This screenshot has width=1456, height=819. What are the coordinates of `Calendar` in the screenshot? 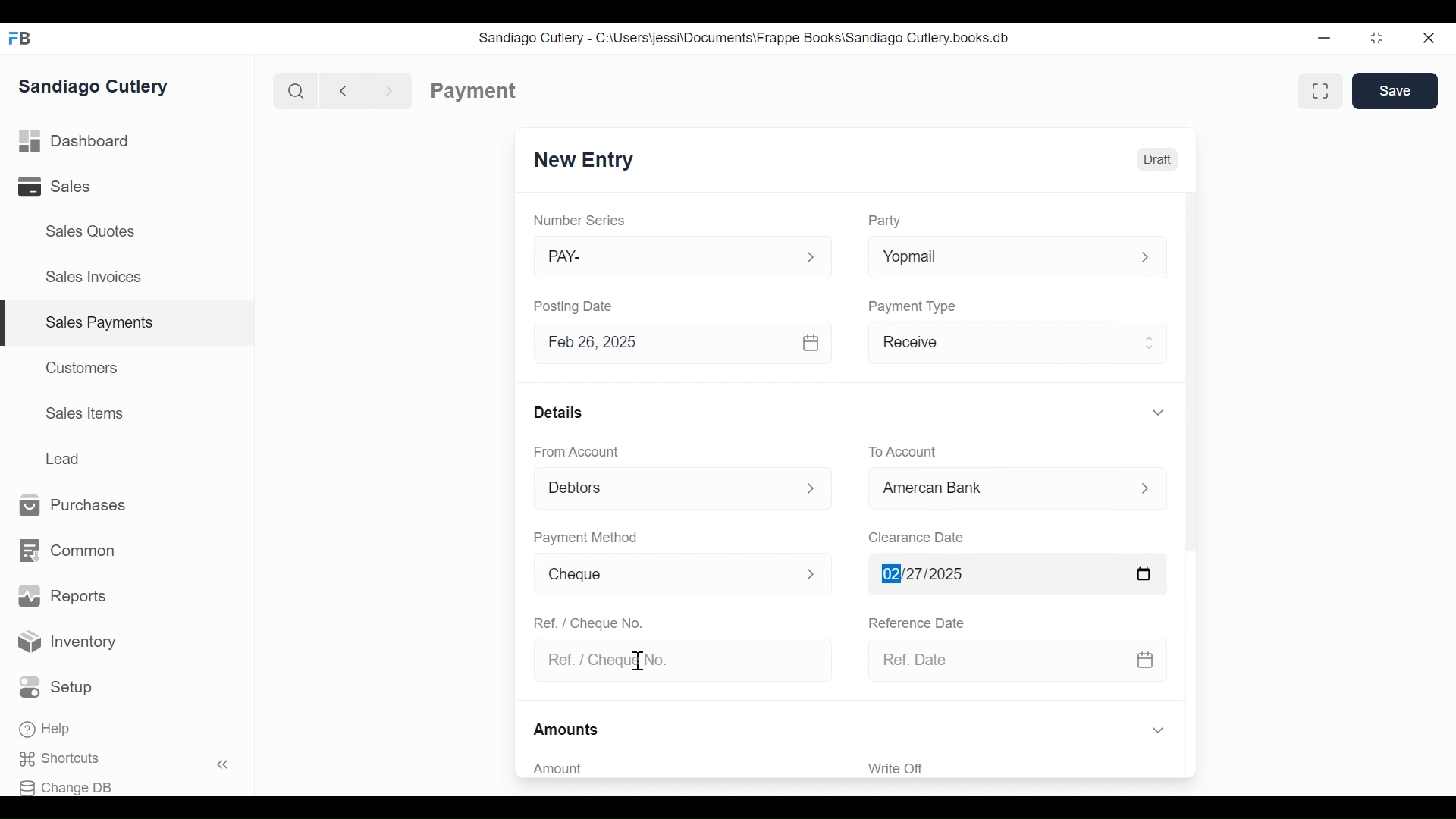 It's located at (811, 344).